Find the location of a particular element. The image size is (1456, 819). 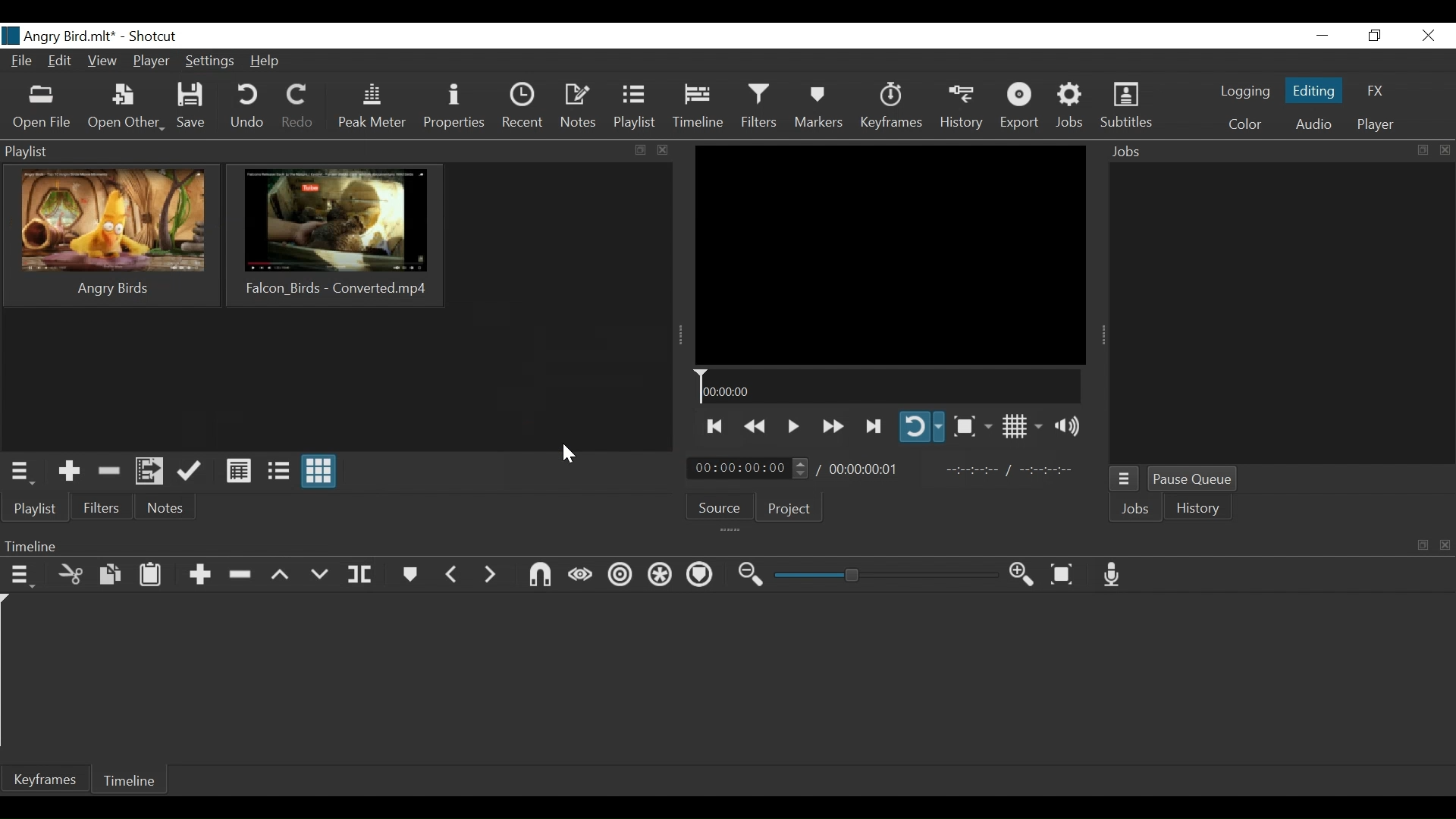

Player is located at coordinates (1376, 125).